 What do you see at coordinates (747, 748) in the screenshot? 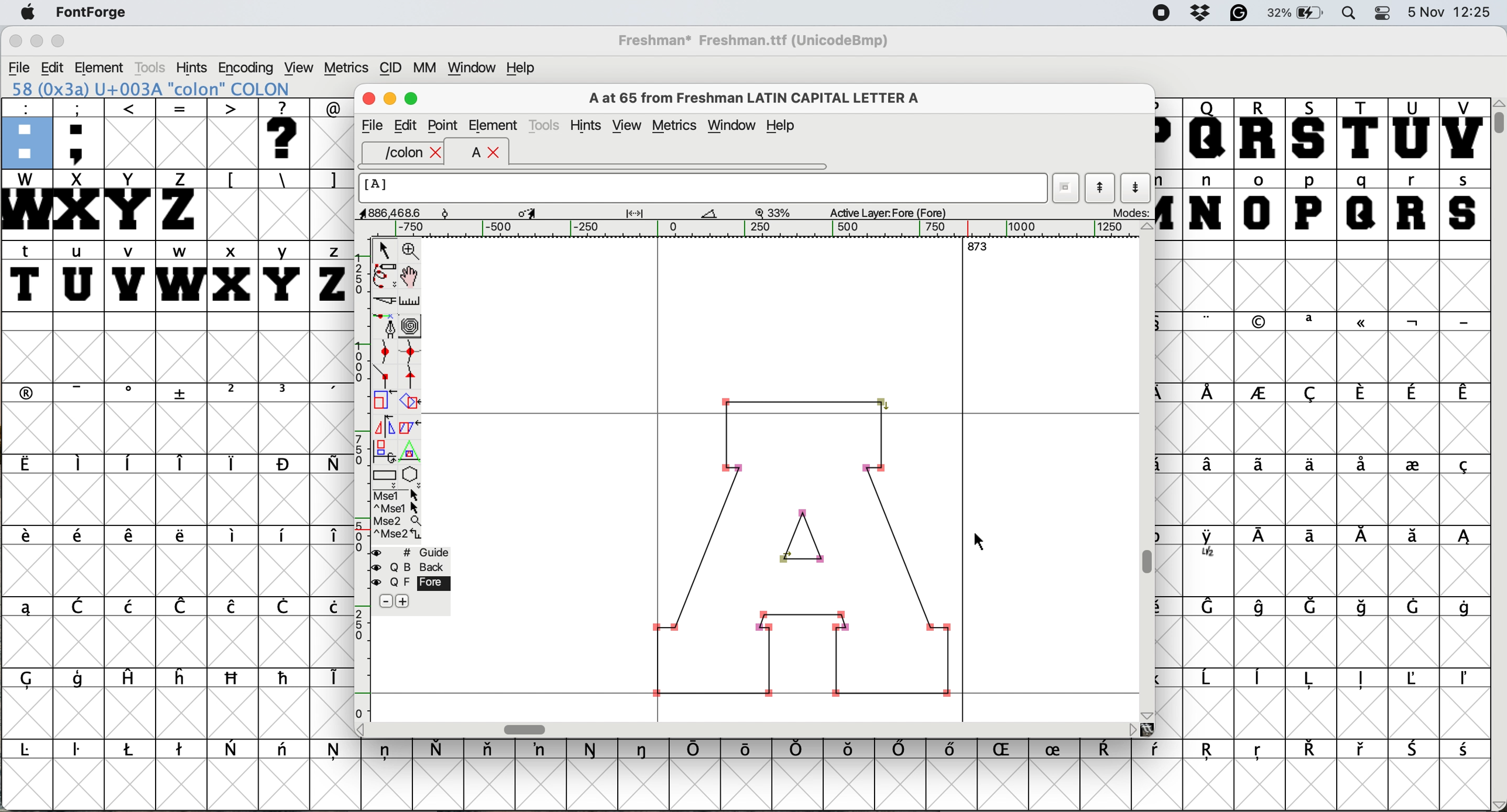
I see `symbol` at bounding box center [747, 748].